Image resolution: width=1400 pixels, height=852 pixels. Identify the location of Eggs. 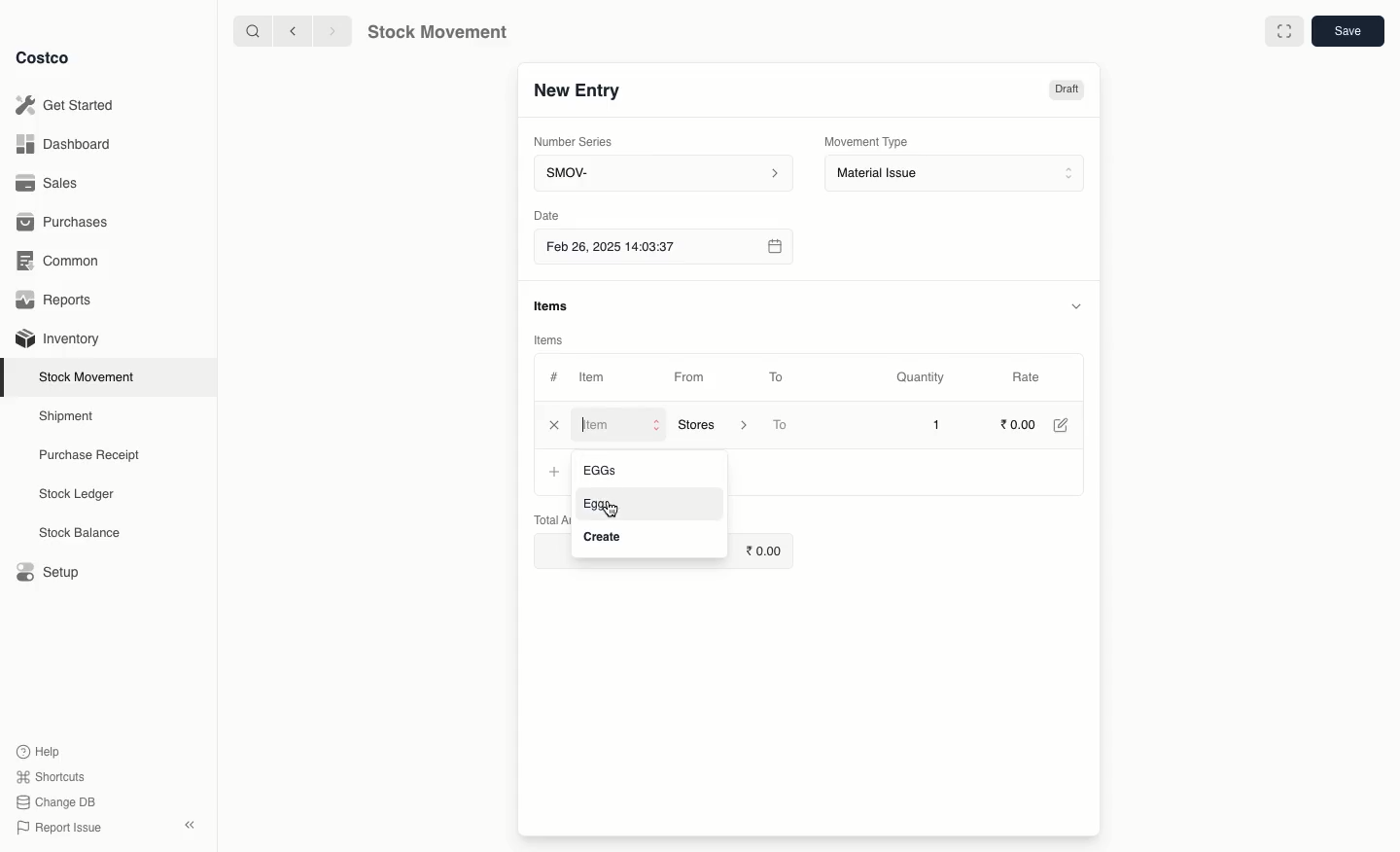
(602, 502).